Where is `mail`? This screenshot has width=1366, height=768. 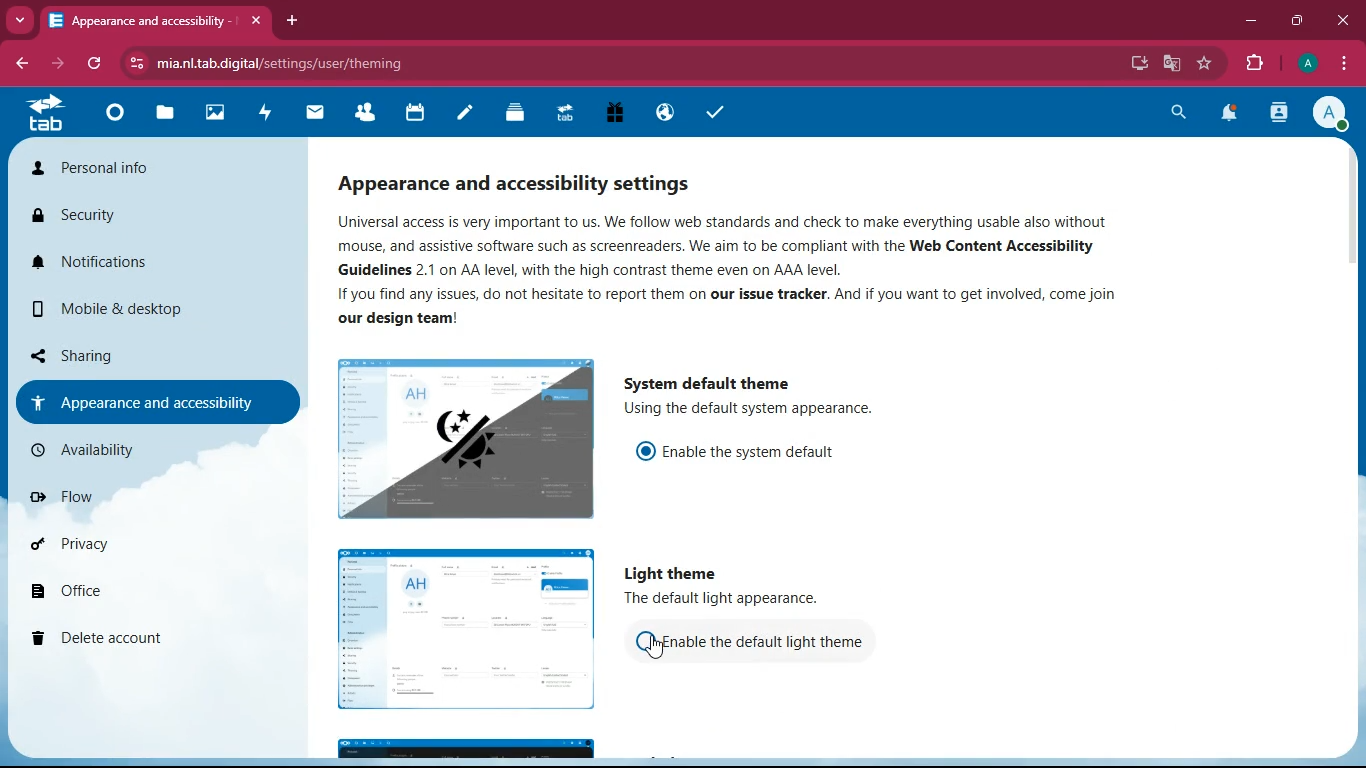 mail is located at coordinates (312, 115).